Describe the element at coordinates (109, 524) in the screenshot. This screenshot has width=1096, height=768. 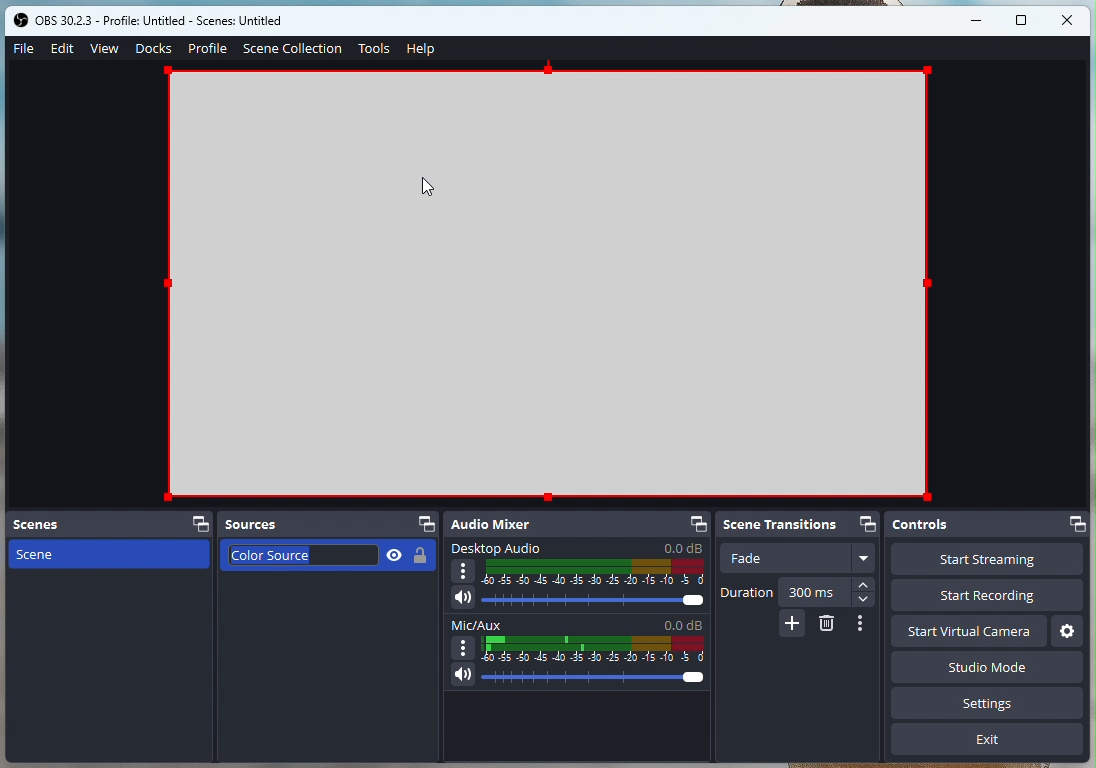
I see `Scenes` at that location.